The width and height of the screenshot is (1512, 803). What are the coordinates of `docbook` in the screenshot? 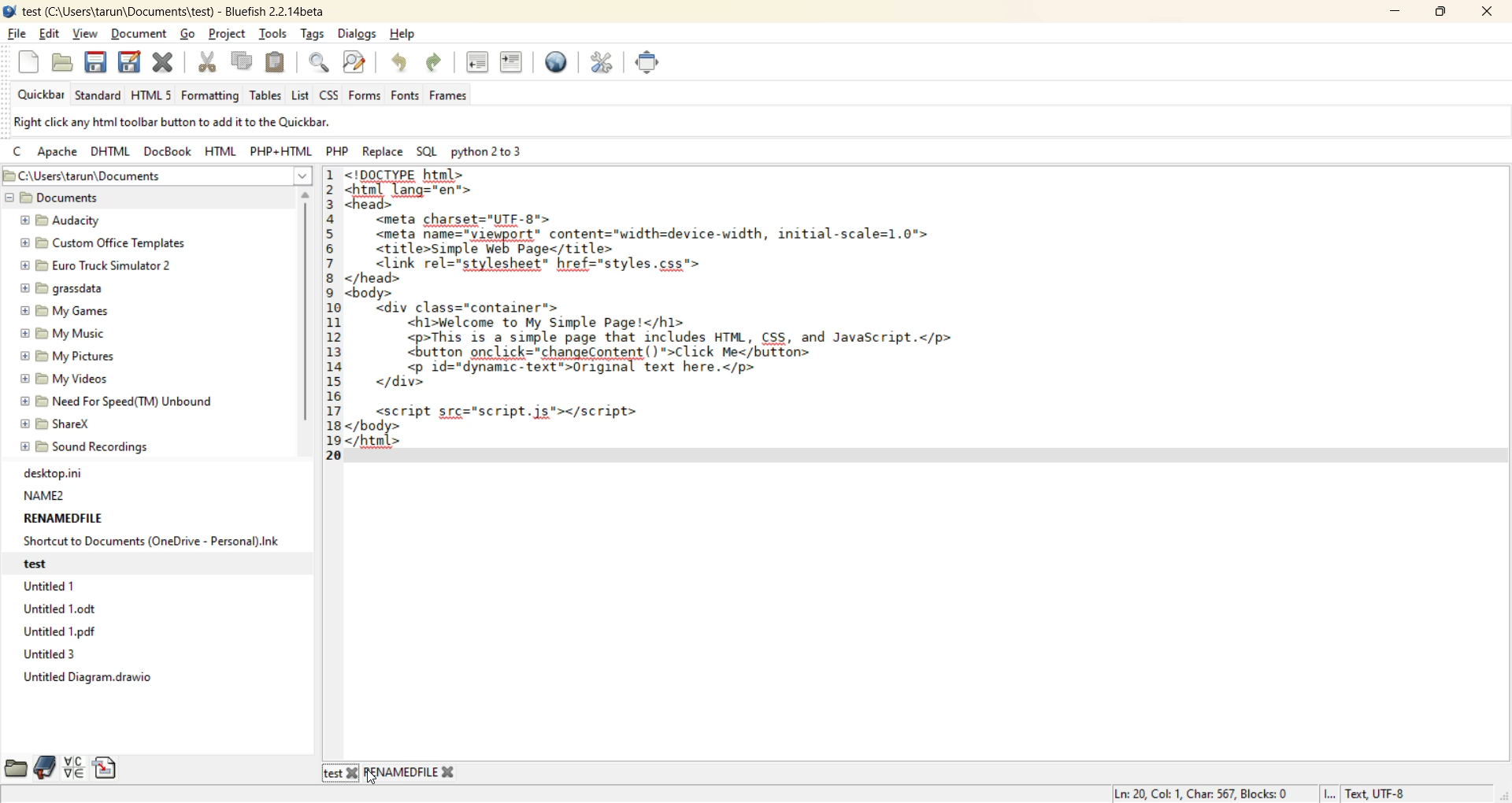 It's located at (165, 154).